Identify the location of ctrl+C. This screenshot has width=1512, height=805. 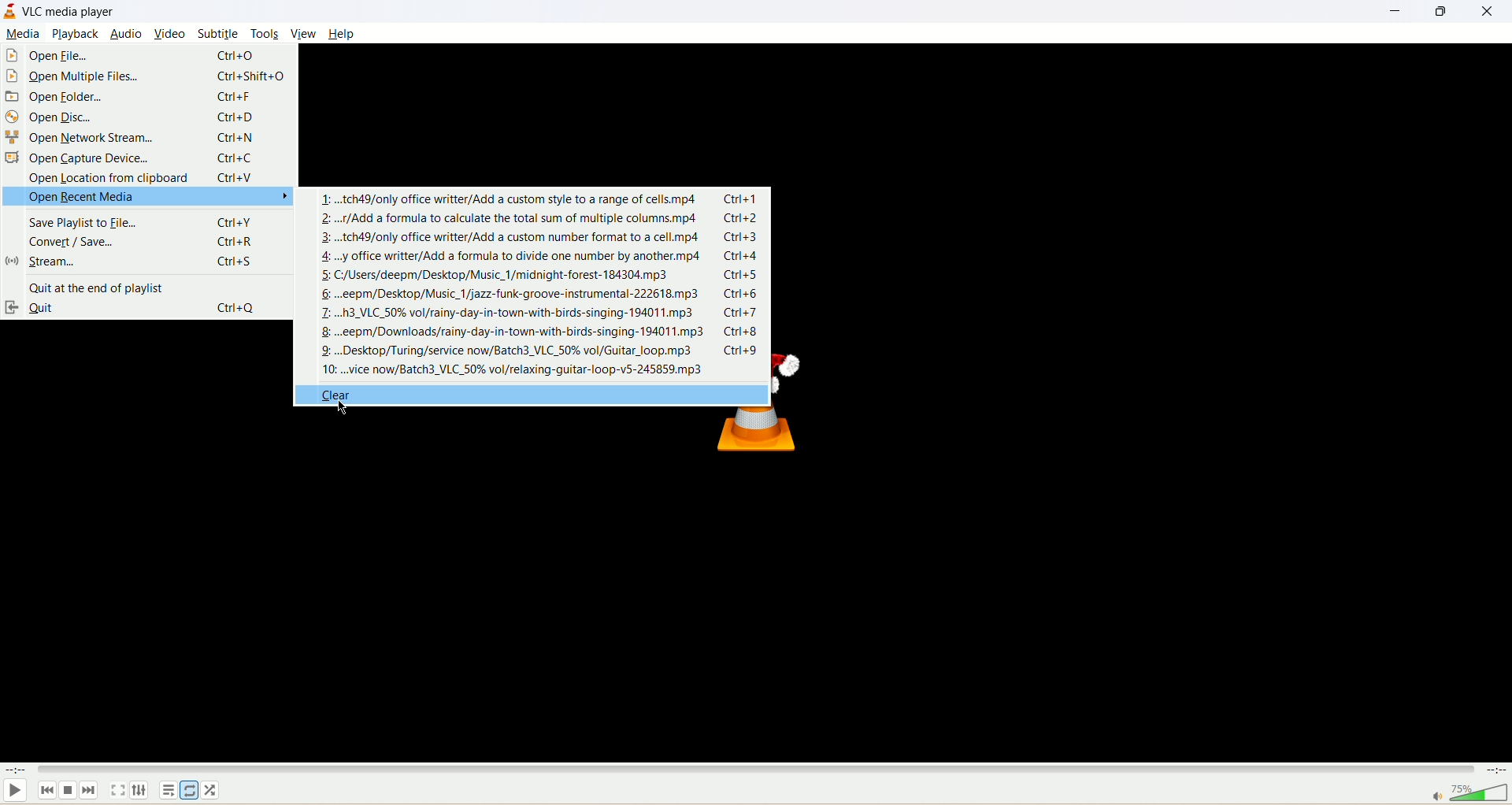
(238, 157).